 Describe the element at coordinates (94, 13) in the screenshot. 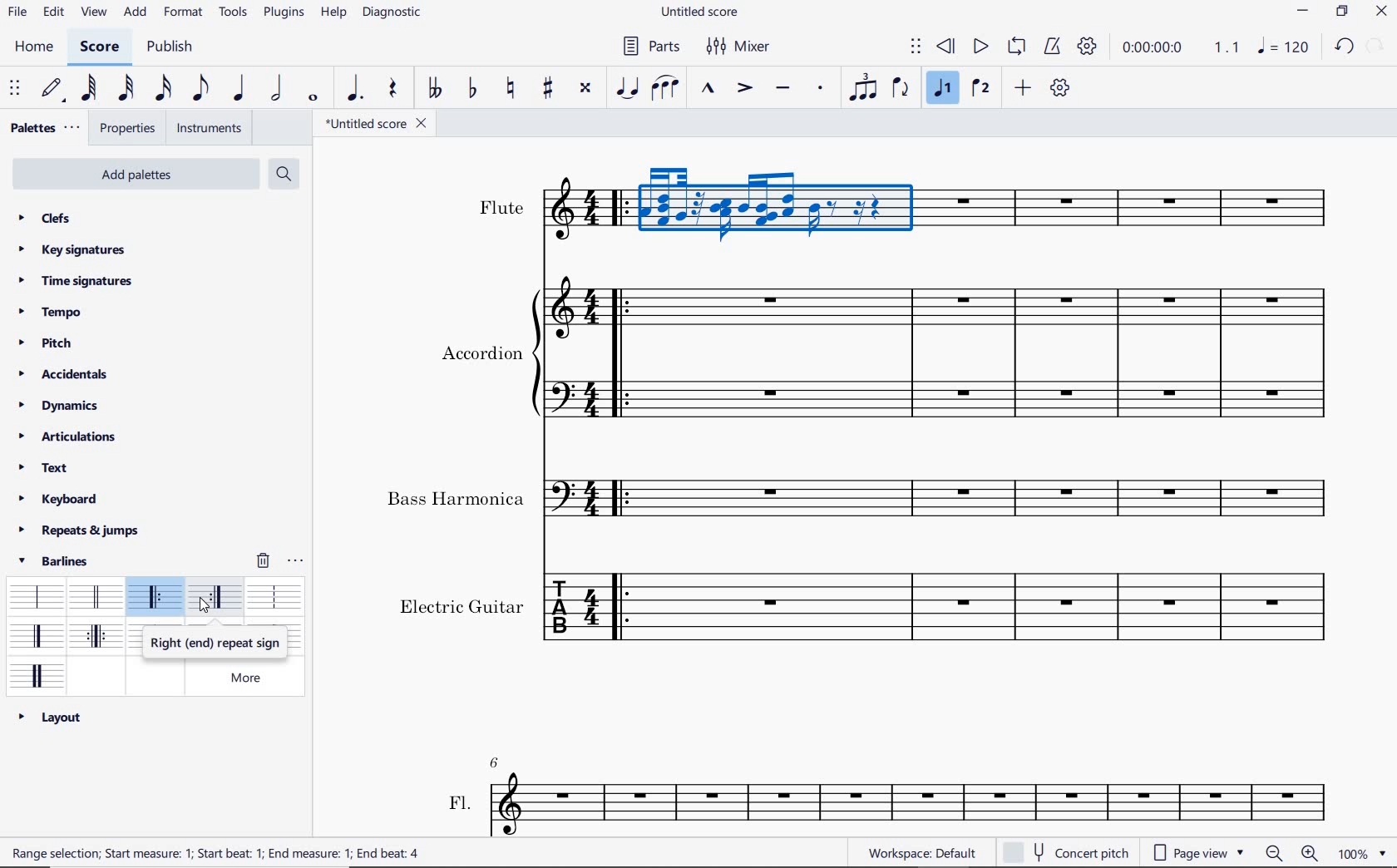

I see `view` at that location.